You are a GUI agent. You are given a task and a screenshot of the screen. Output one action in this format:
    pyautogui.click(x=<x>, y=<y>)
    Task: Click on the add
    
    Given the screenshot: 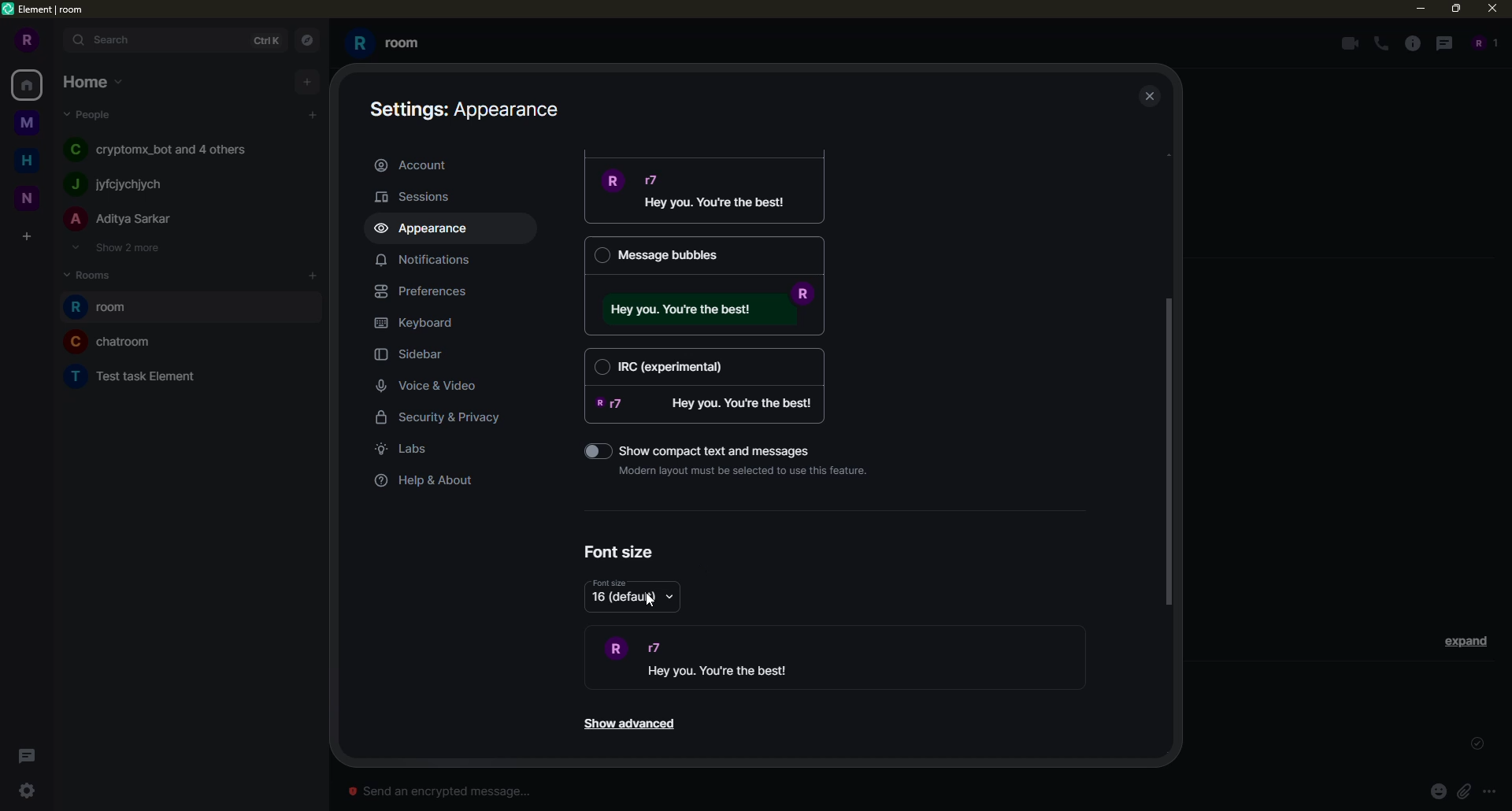 What is the action you would take?
    pyautogui.click(x=307, y=80)
    